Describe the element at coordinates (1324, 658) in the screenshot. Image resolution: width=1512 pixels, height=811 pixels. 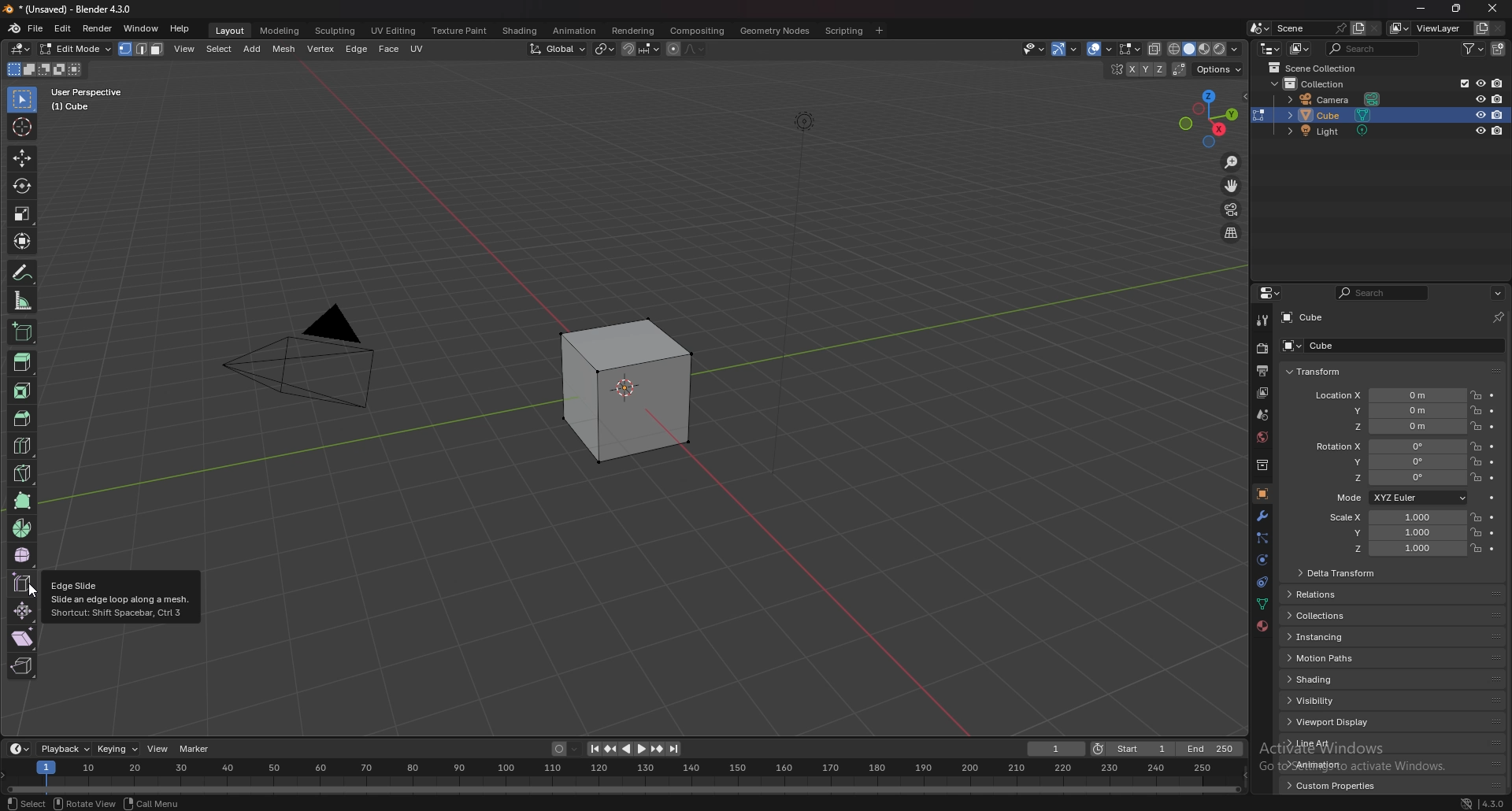
I see `motion paths` at that location.